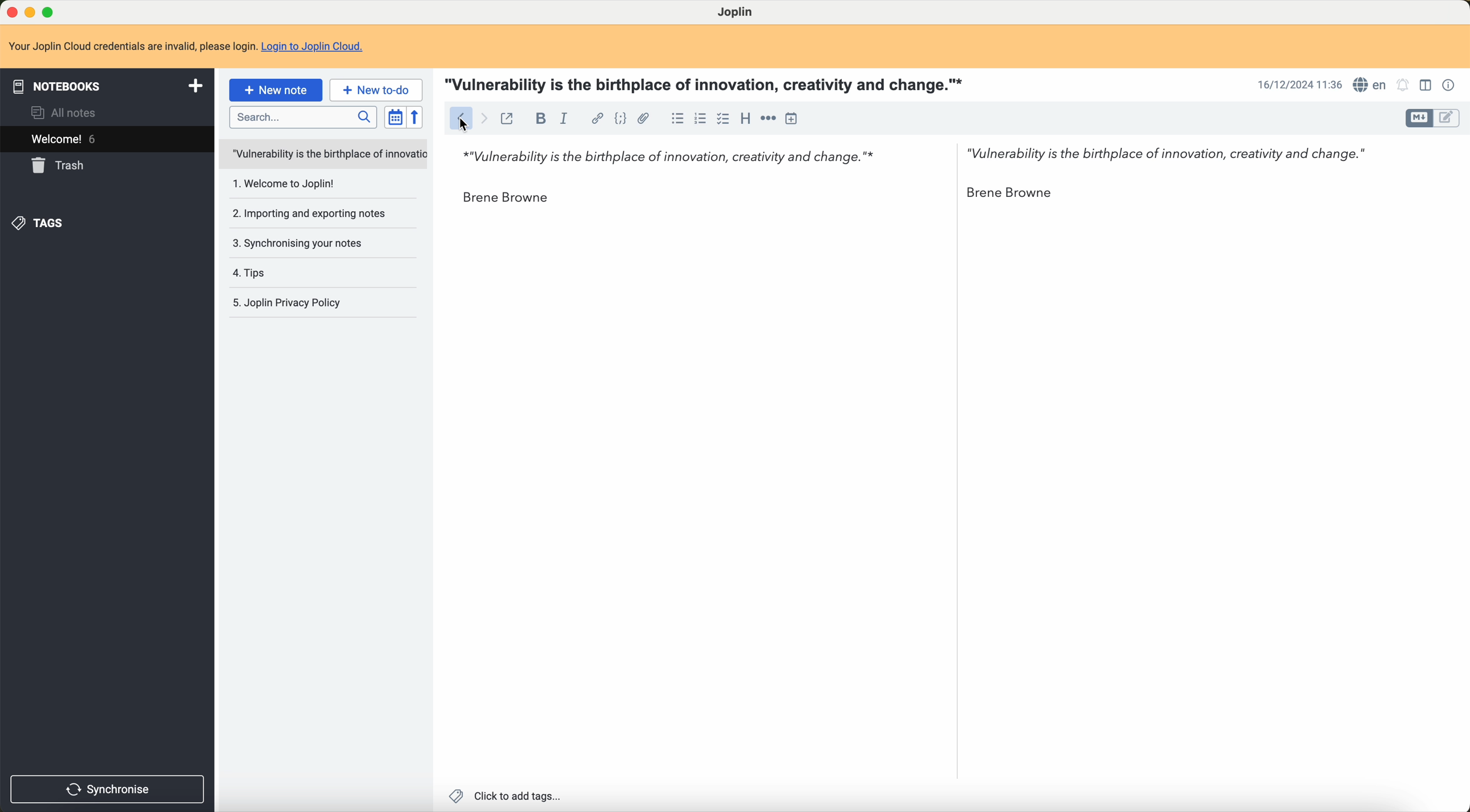  I want to click on welcome to joplin, so click(283, 185).